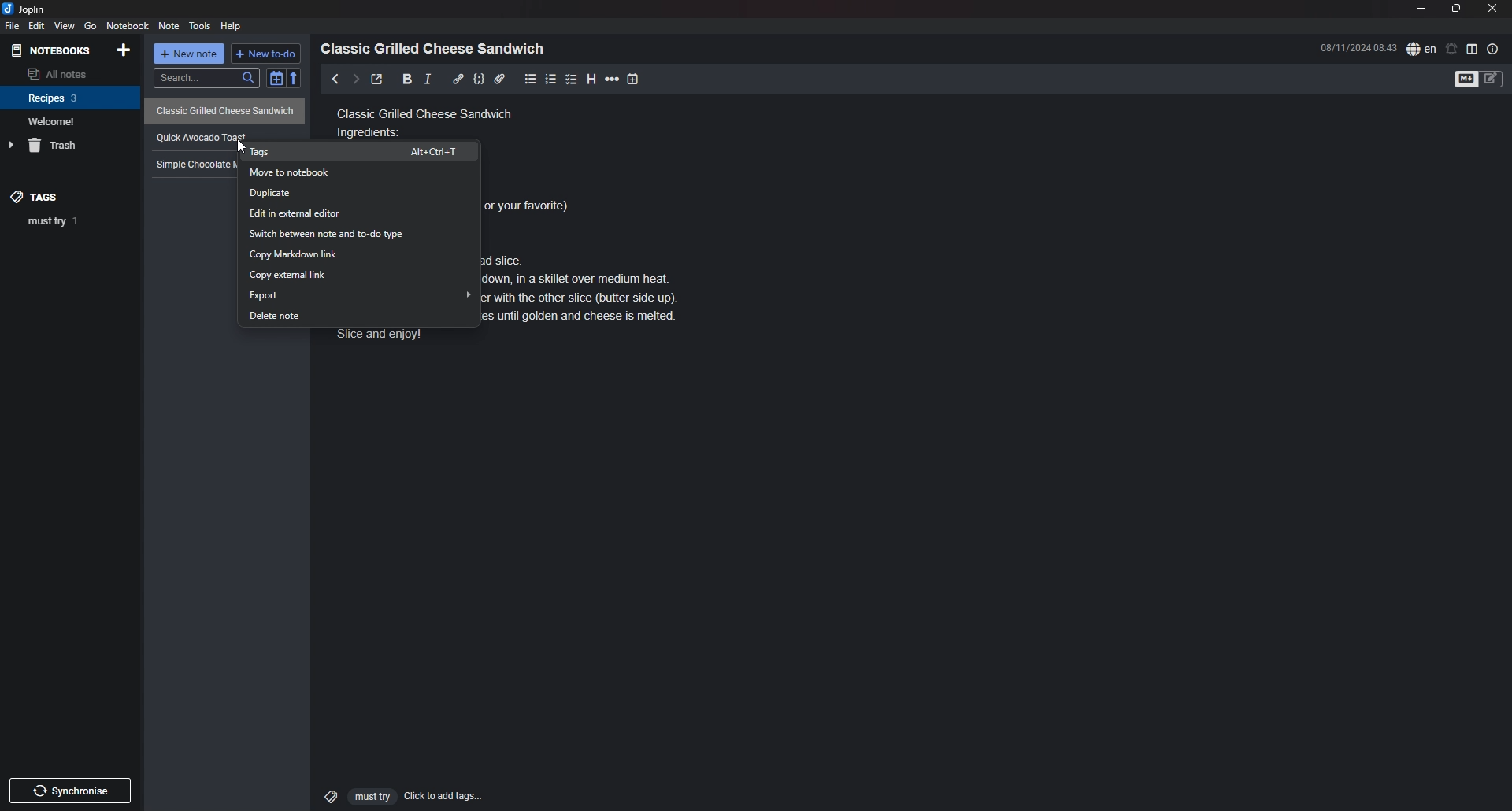 Image resolution: width=1512 pixels, height=811 pixels. What do you see at coordinates (69, 121) in the screenshot?
I see `notebook` at bounding box center [69, 121].